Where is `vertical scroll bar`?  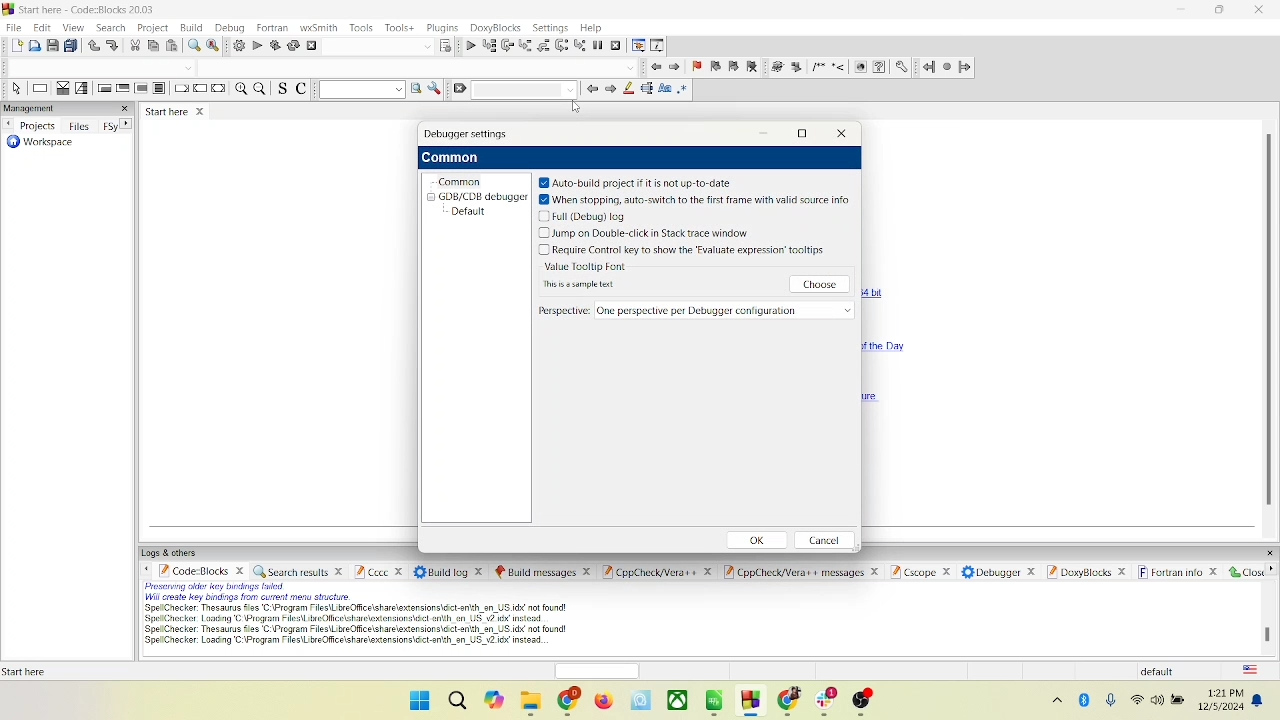
vertical scroll bar is located at coordinates (1272, 610).